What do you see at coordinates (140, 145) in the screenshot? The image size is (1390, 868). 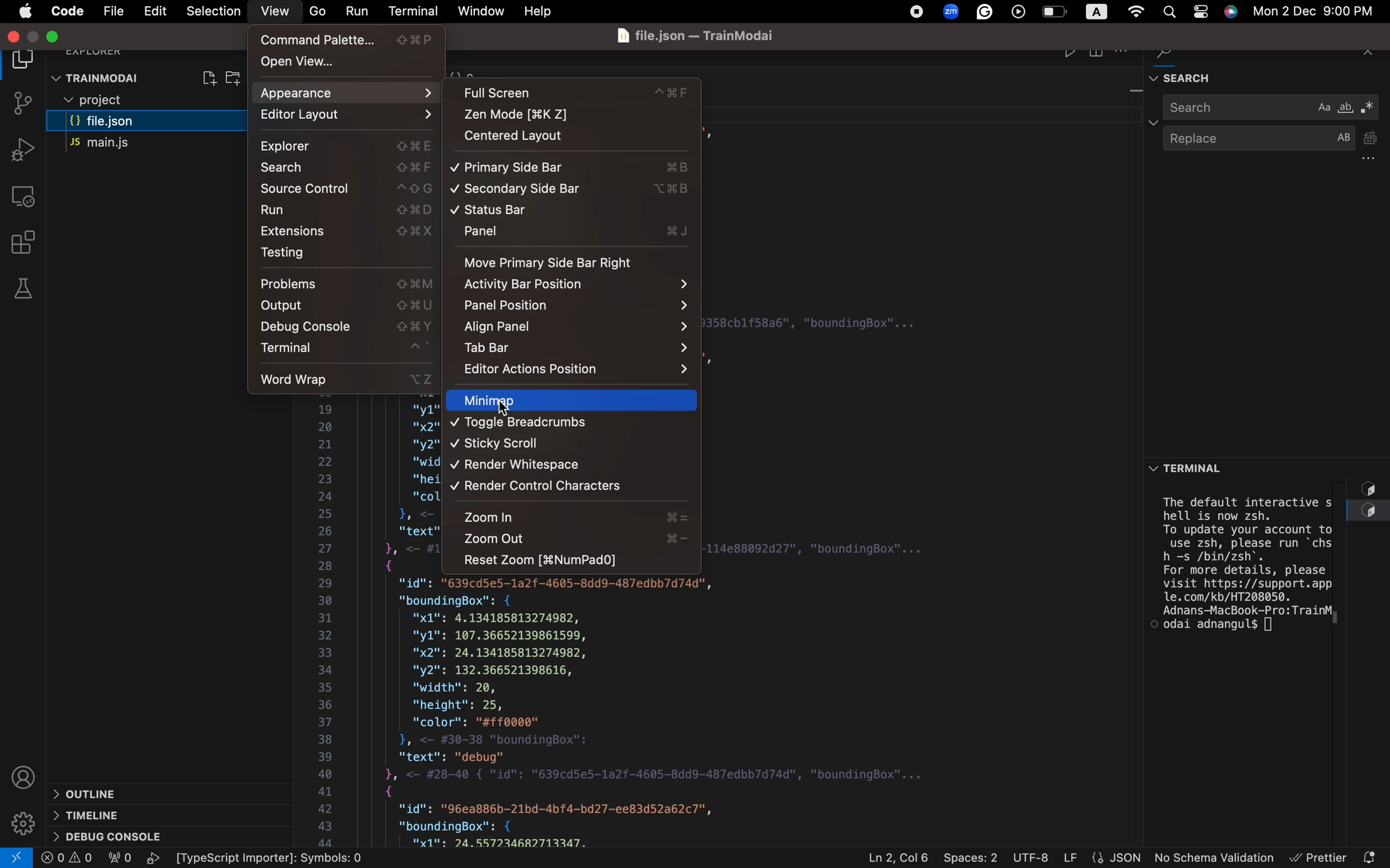 I see `main.js` at bounding box center [140, 145].